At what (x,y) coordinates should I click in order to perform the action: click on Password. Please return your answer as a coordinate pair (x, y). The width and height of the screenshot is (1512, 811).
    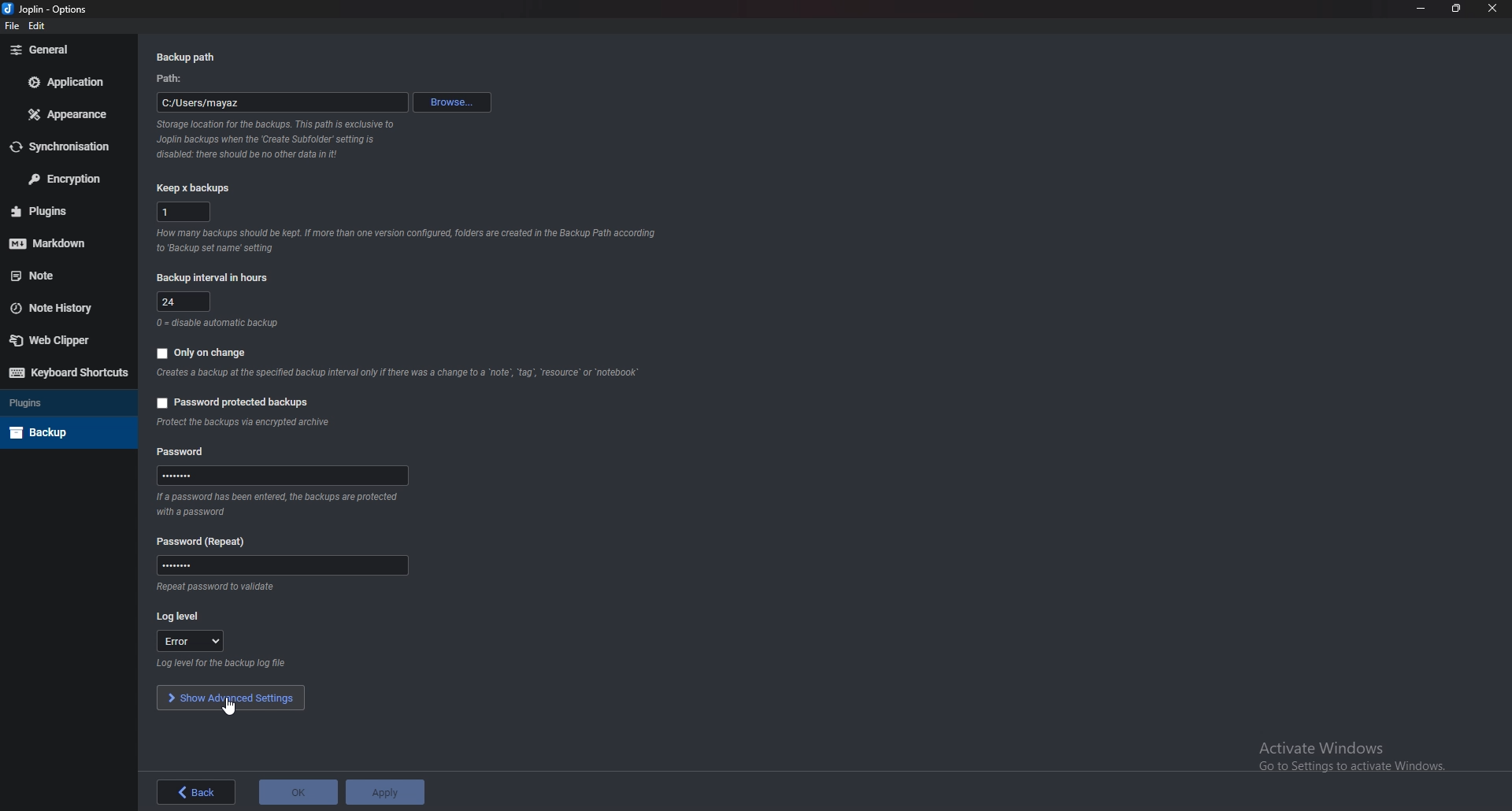
    Looking at the image, I should click on (281, 566).